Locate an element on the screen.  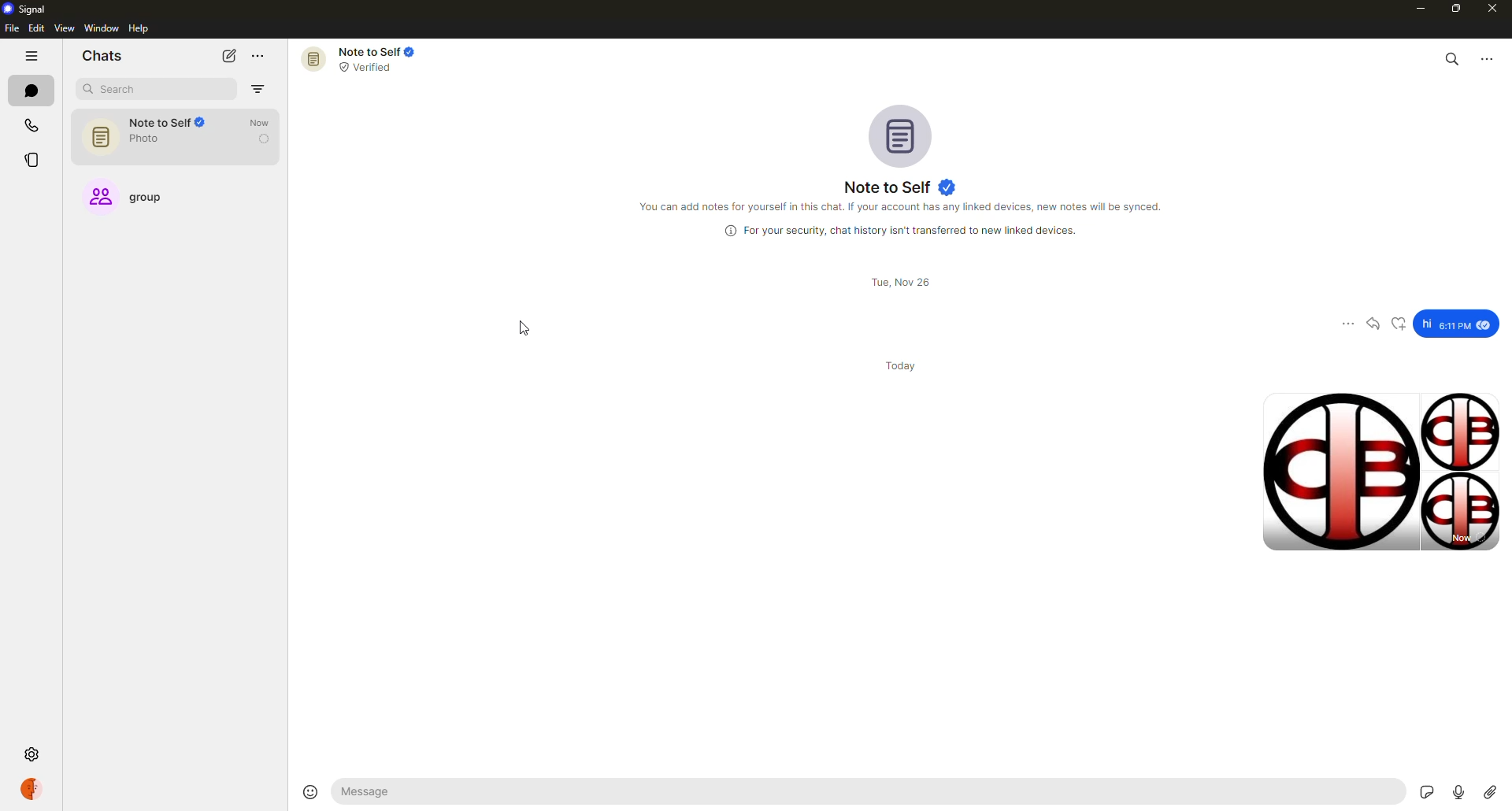
stories is located at coordinates (30, 159).